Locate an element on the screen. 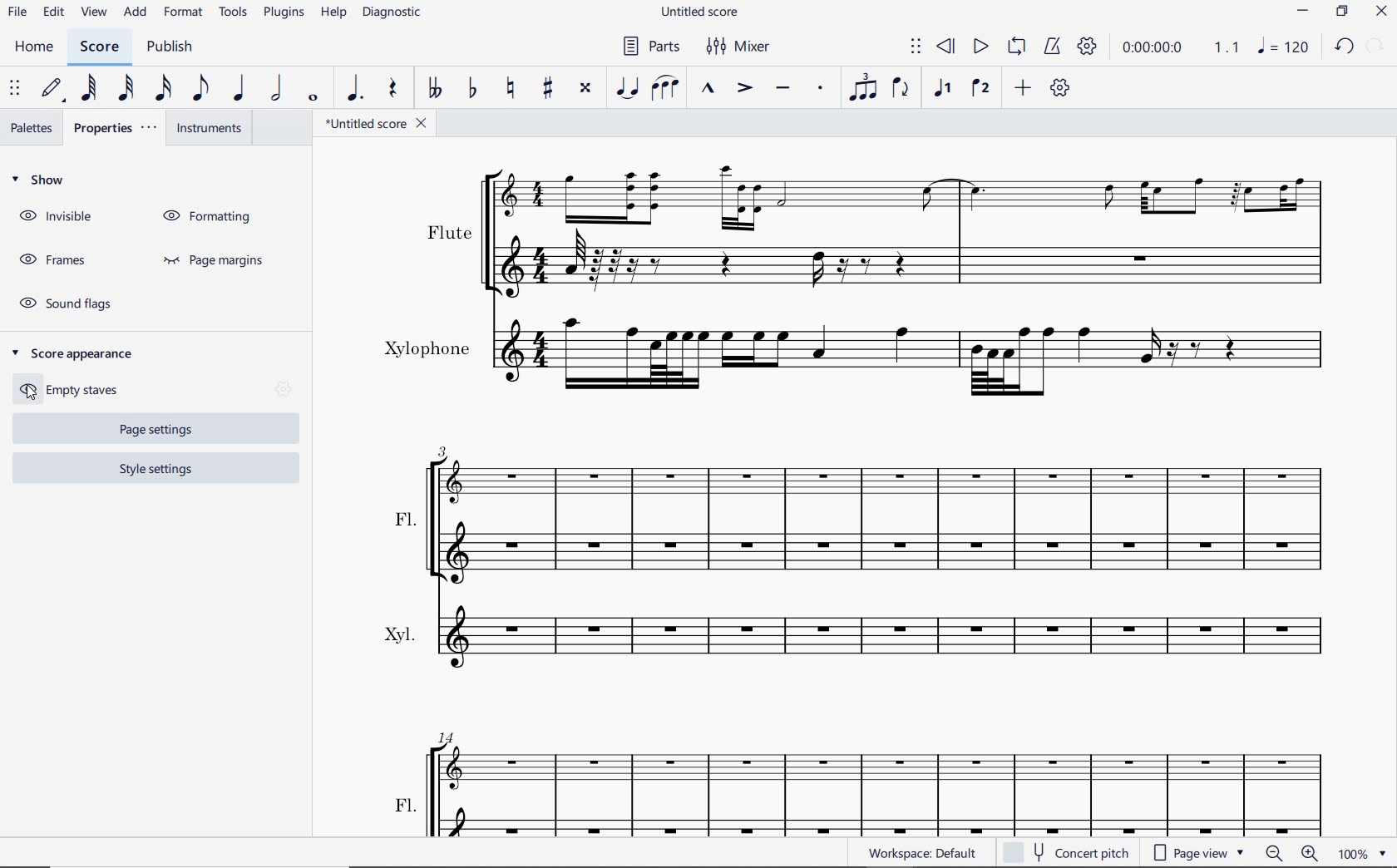 The width and height of the screenshot is (1397, 868). zoom factor is located at coordinates (1363, 854).